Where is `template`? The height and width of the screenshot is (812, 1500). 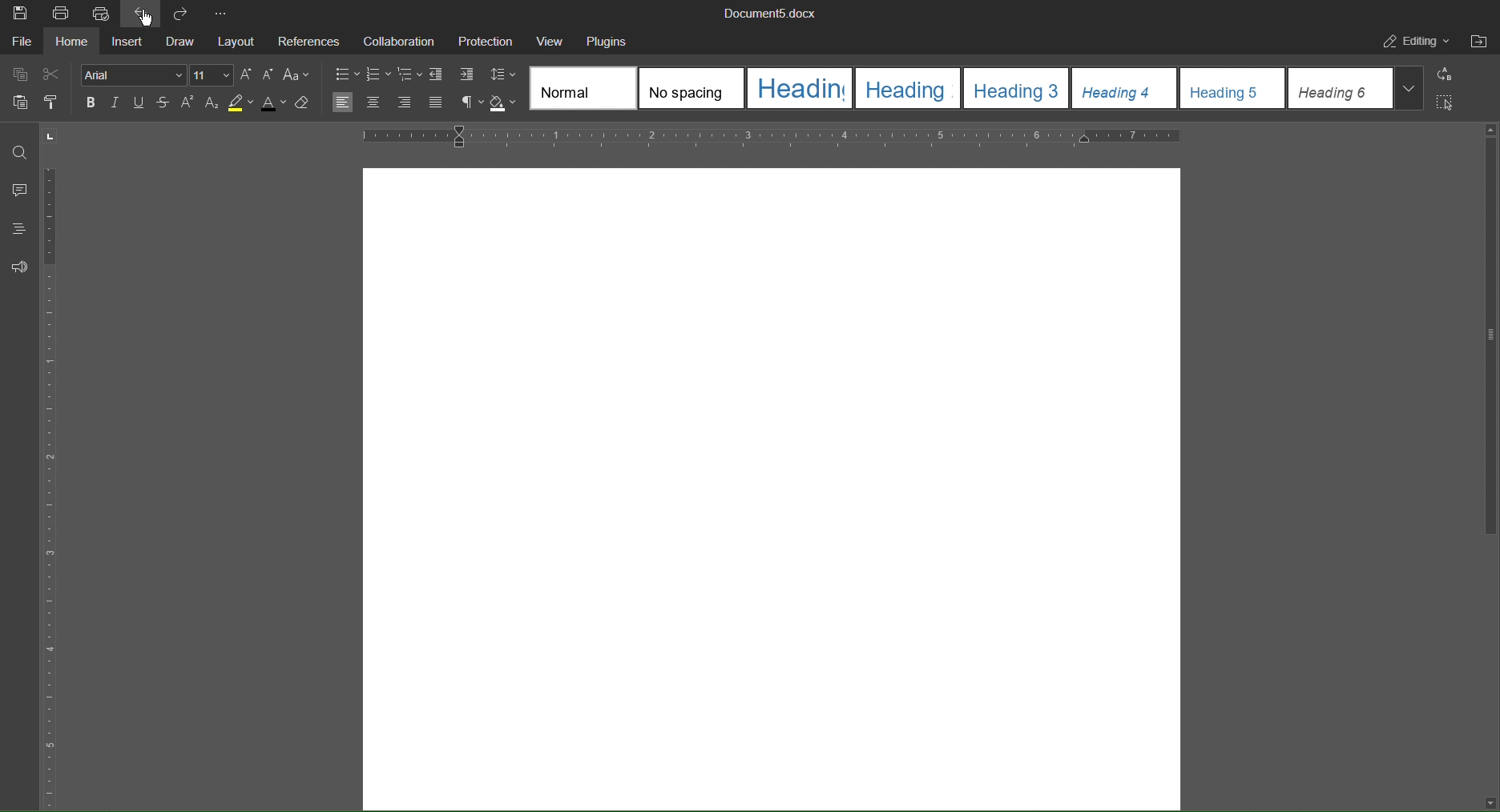 template is located at coordinates (1232, 88).